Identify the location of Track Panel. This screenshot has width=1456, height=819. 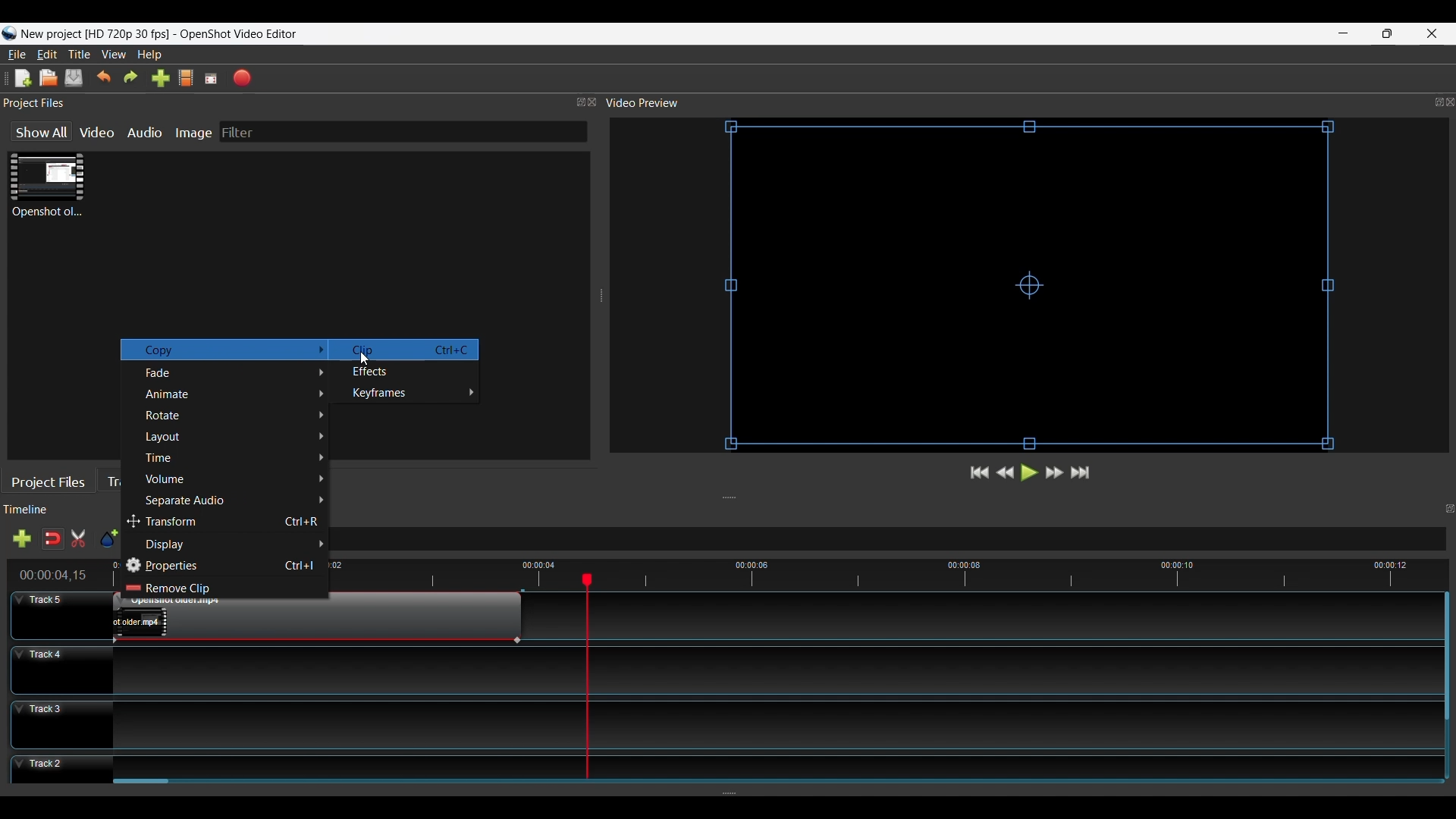
(770, 724).